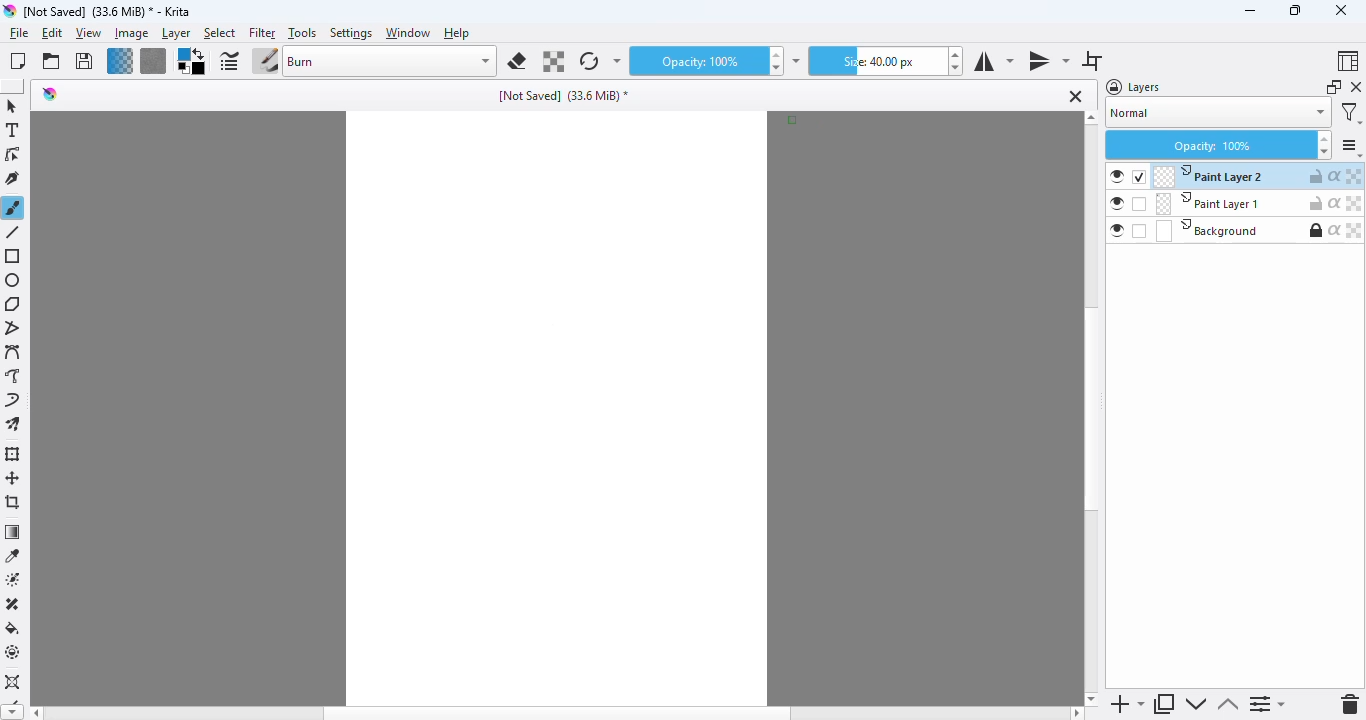  What do you see at coordinates (1139, 177) in the screenshot?
I see `selected` at bounding box center [1139, 177].